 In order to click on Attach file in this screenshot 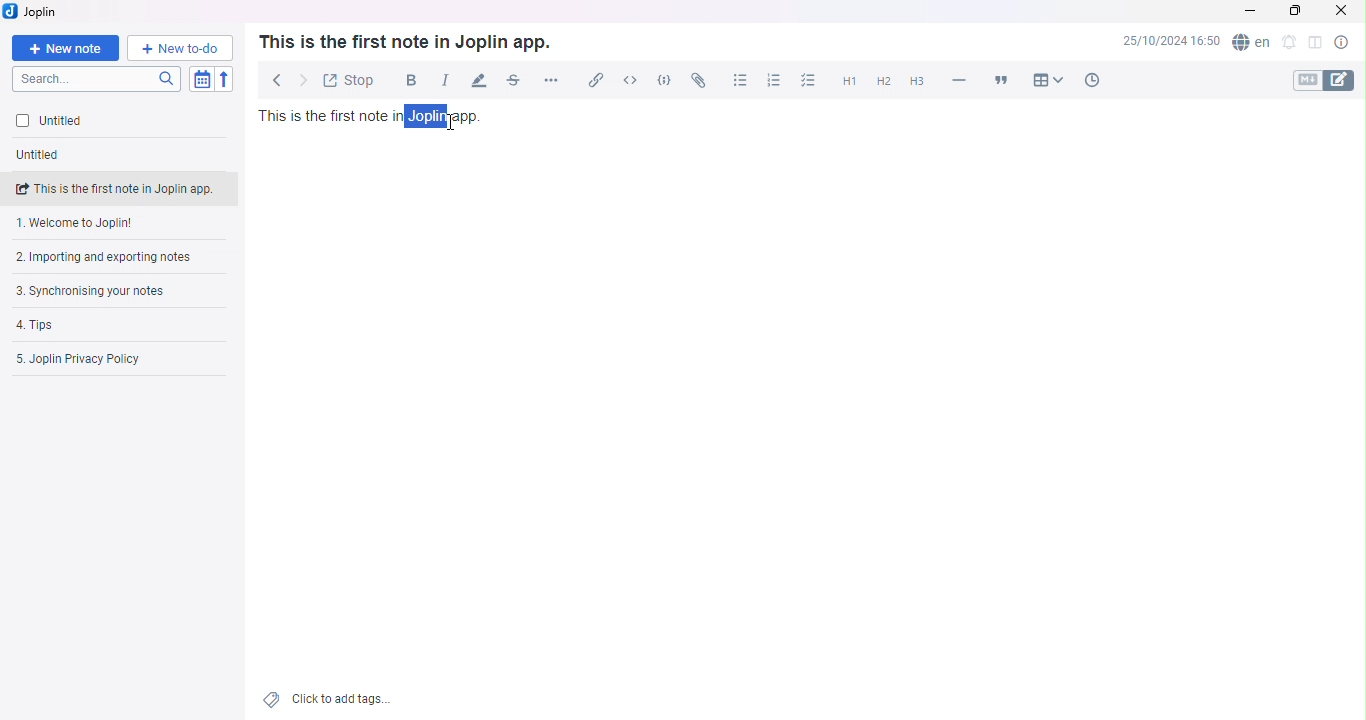, I will do `click(698, 79)`.